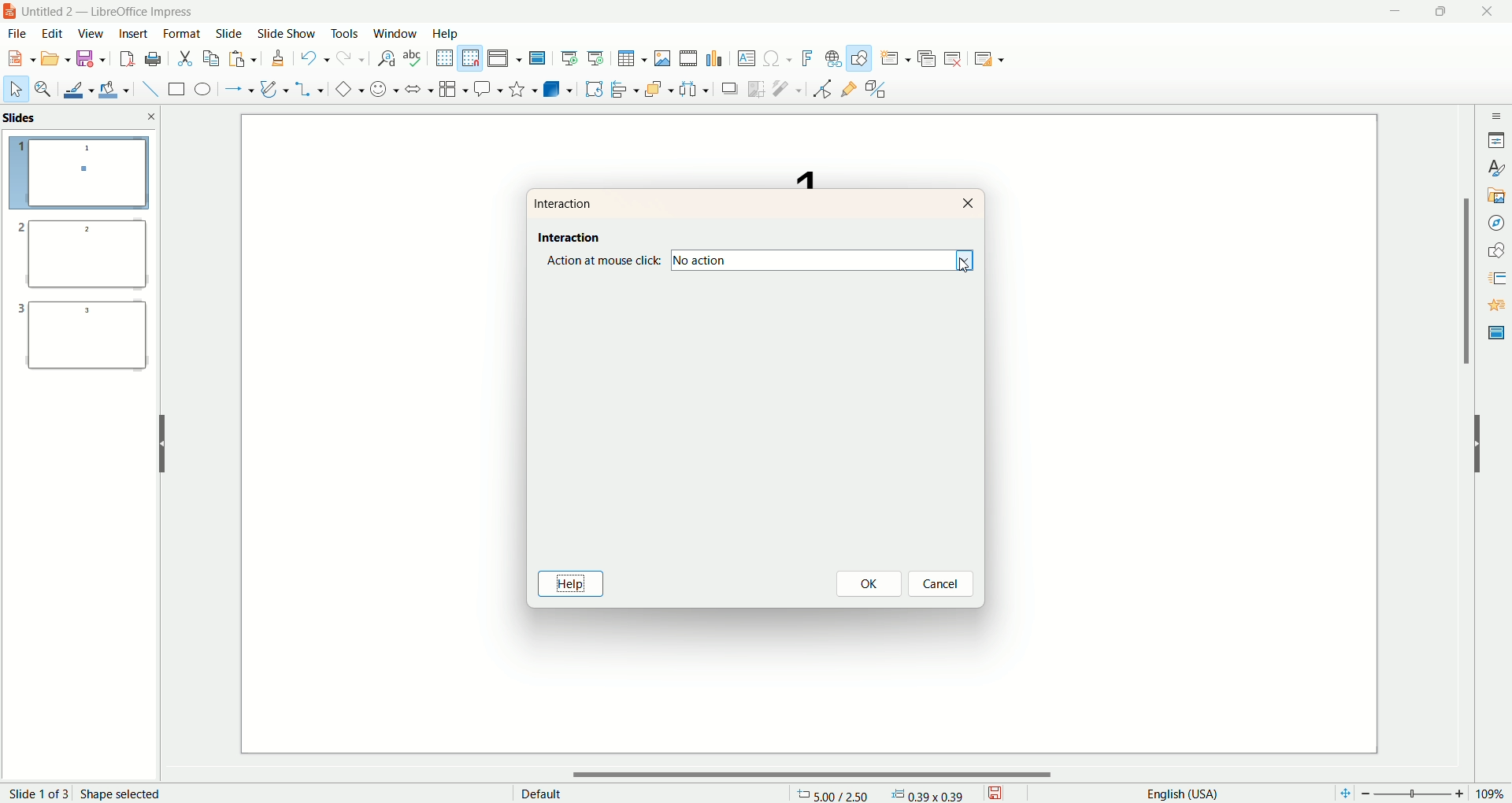  I want to click on align, so click(623, 87).